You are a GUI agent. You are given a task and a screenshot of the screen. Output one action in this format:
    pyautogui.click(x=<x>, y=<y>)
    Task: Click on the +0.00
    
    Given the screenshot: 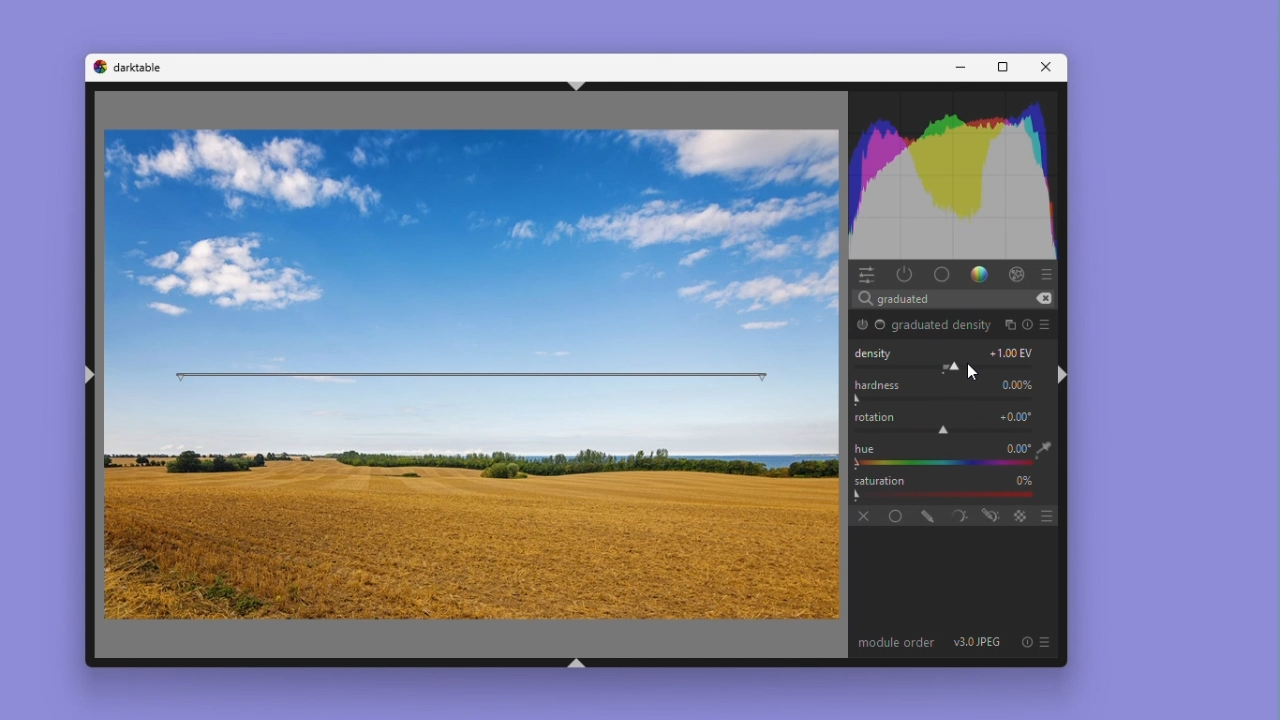 What is the action you would take?
    pyautogui.click(x=1015, y=448)
    